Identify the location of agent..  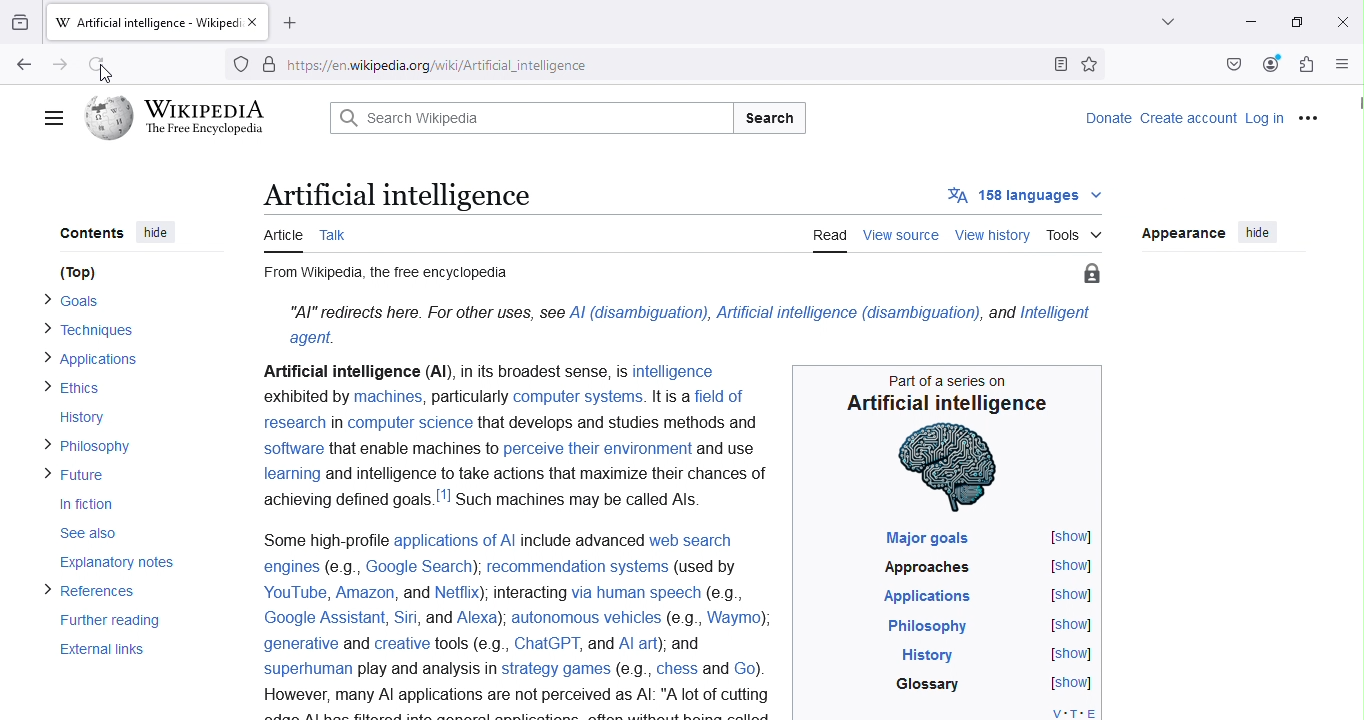
(320, 337).